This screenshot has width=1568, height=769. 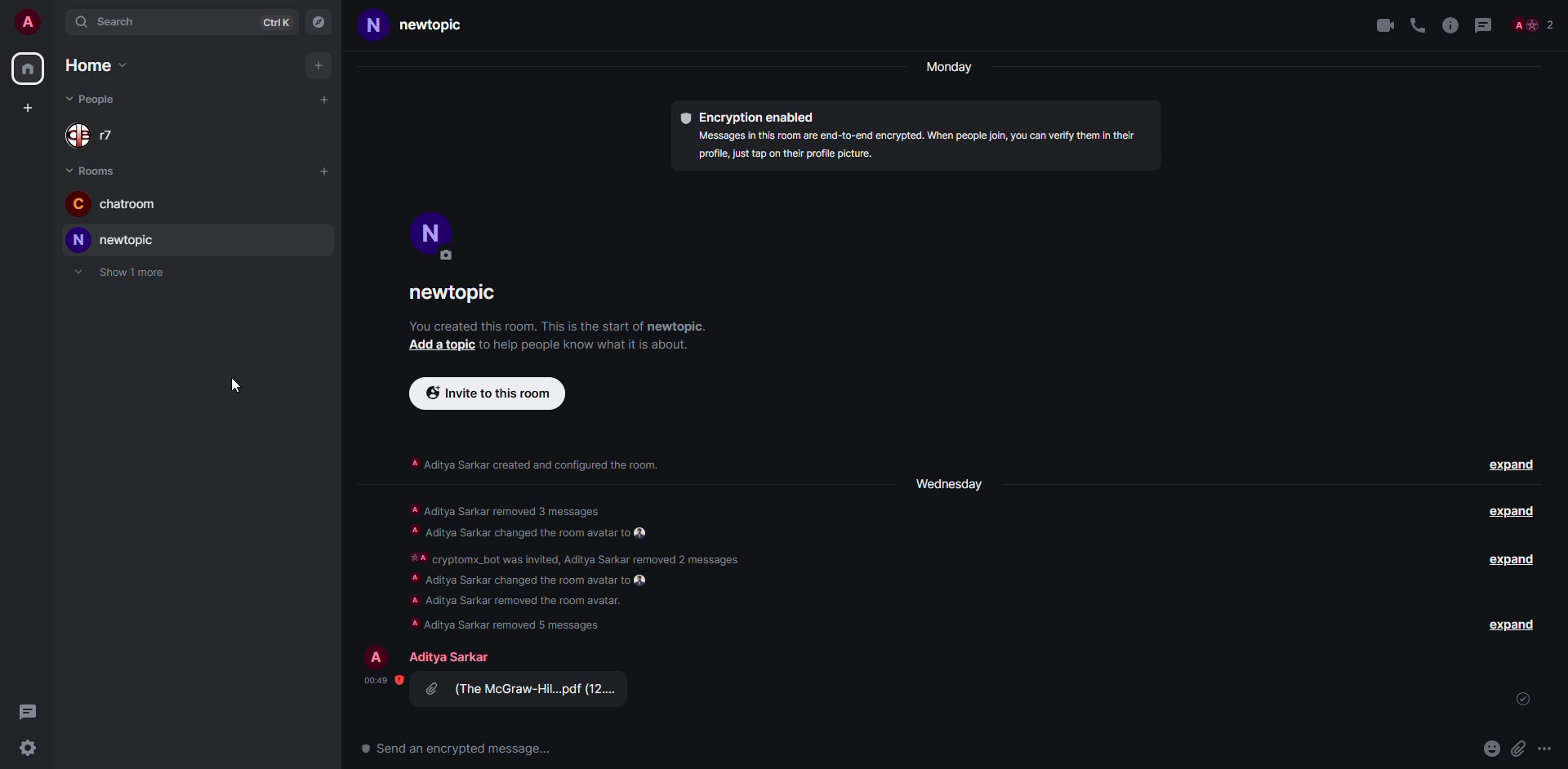 What do you see at coordinates (1450, 24) in the screenshot?
I see `info` at bounding box center [1450, 24].